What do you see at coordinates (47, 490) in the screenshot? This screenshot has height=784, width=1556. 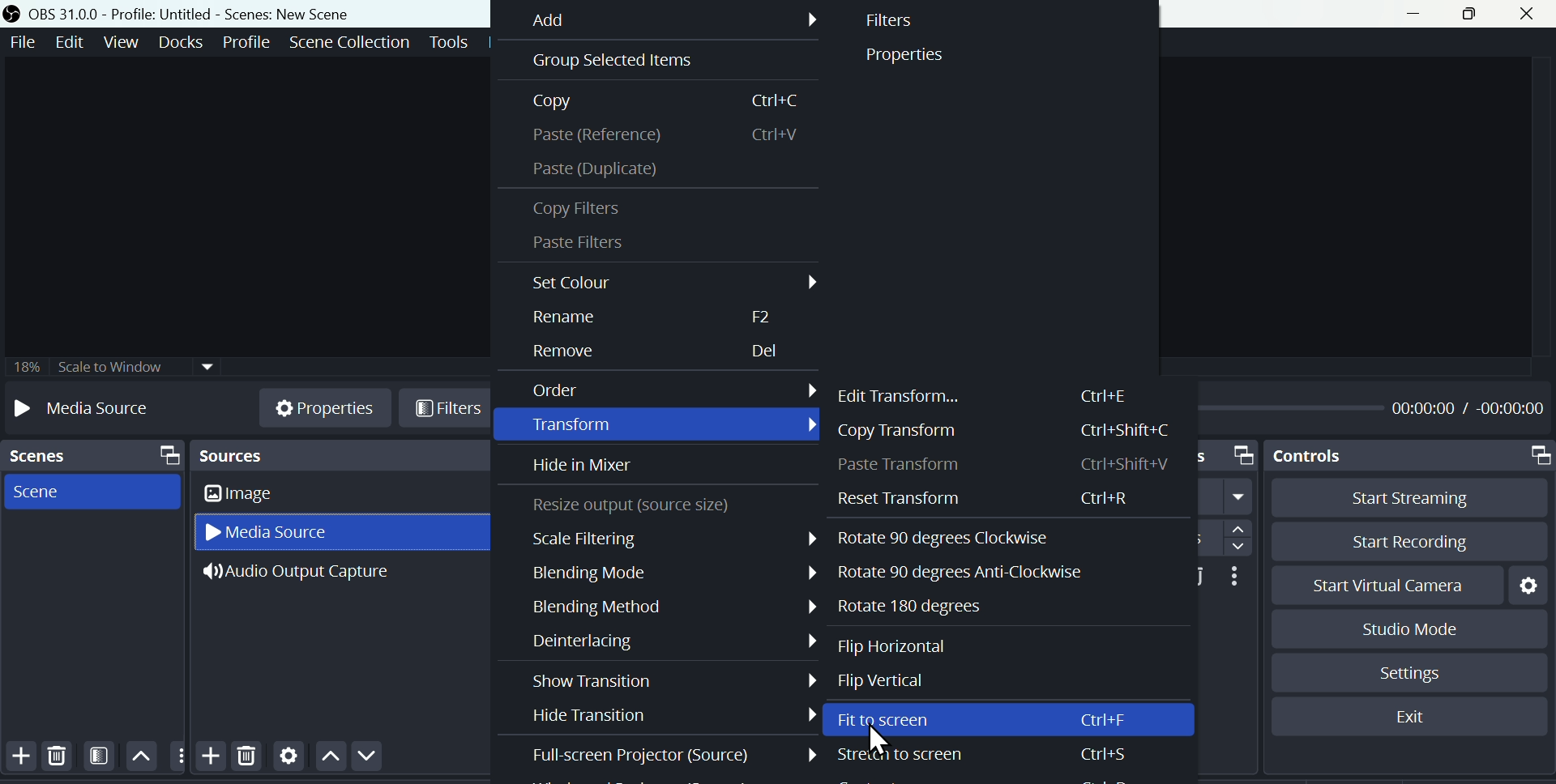 I see `scene` at bounding box center [47, 490].